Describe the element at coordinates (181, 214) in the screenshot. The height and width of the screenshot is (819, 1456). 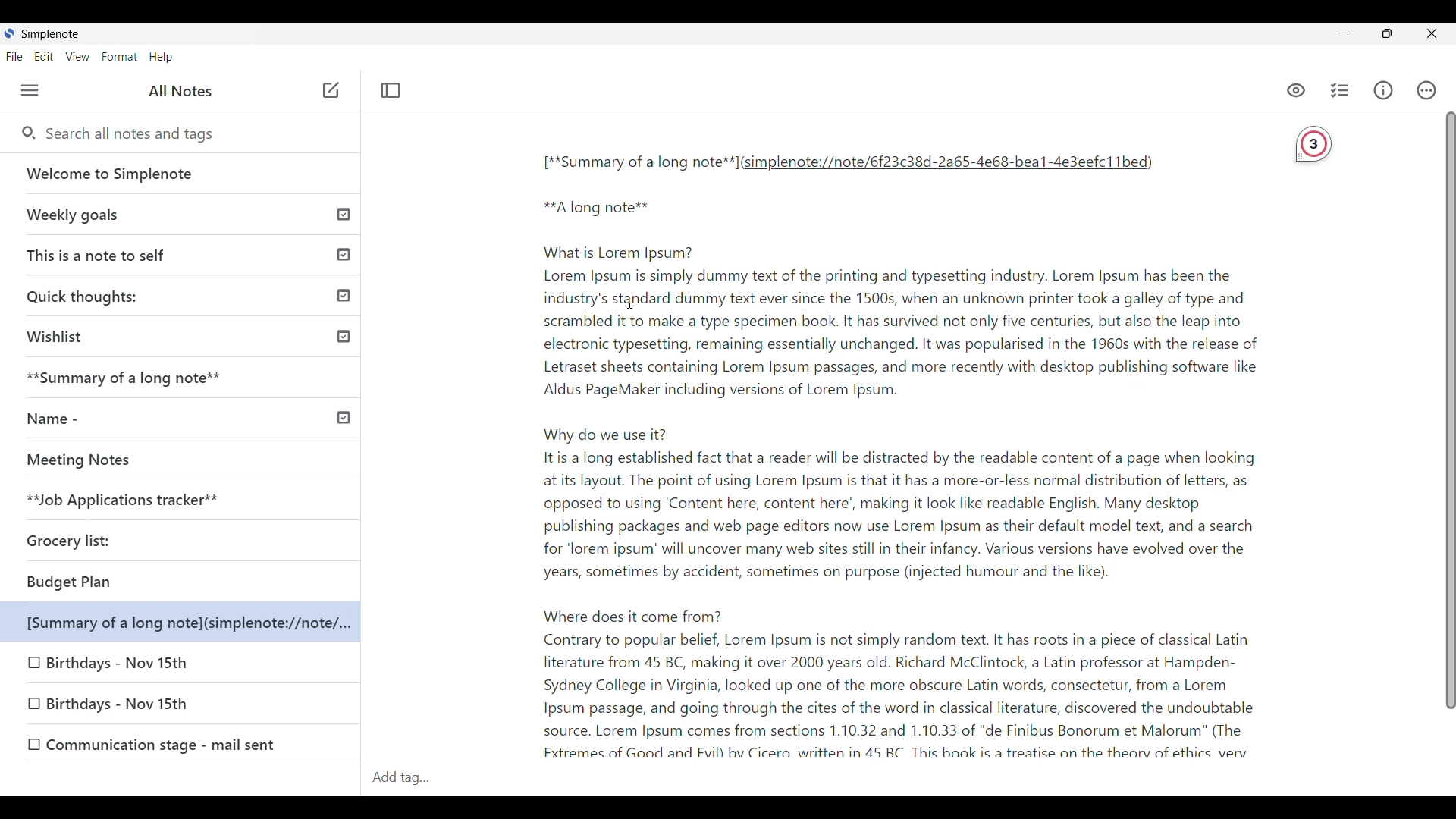
I see `Weekly goals` at that location.